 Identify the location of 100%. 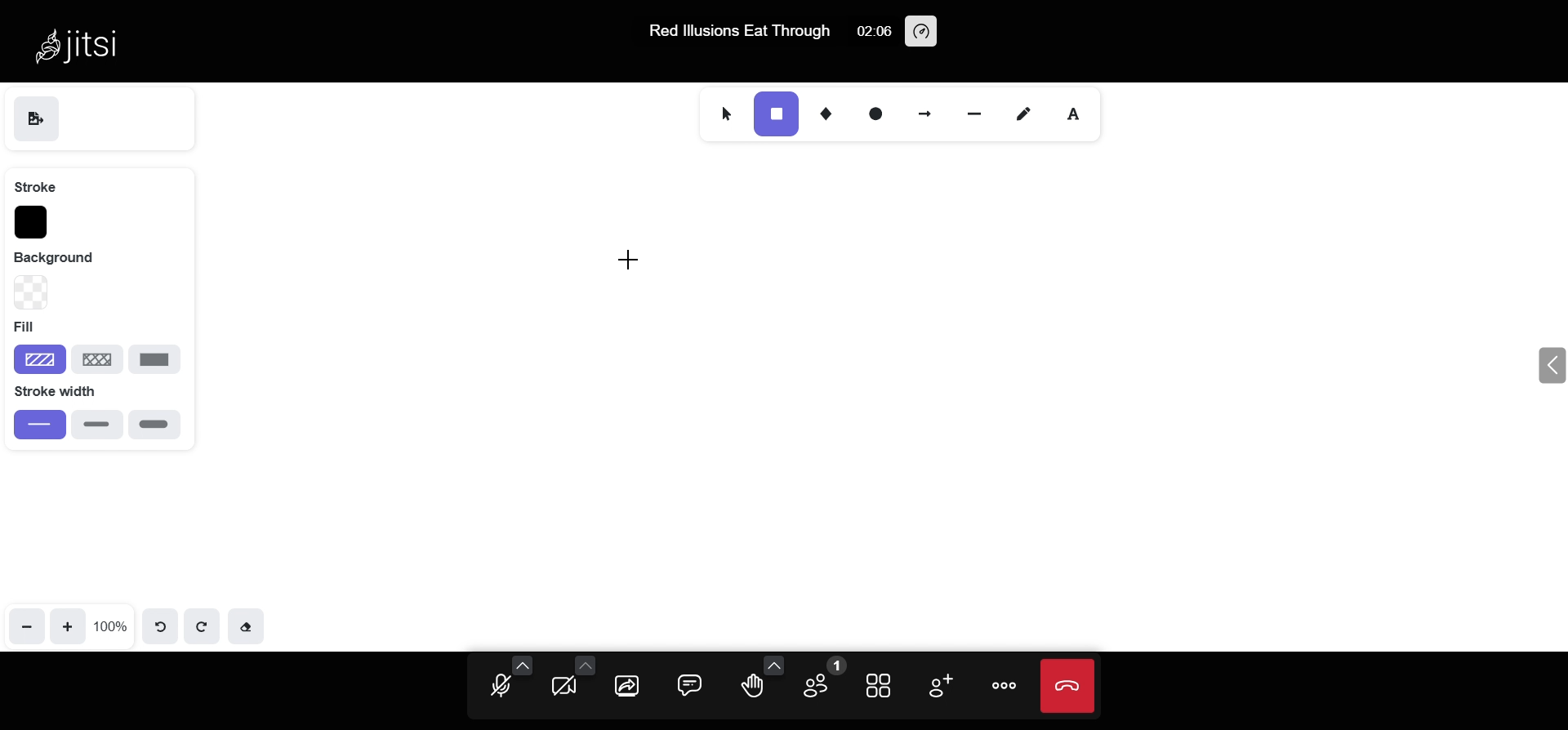
(112, 624).